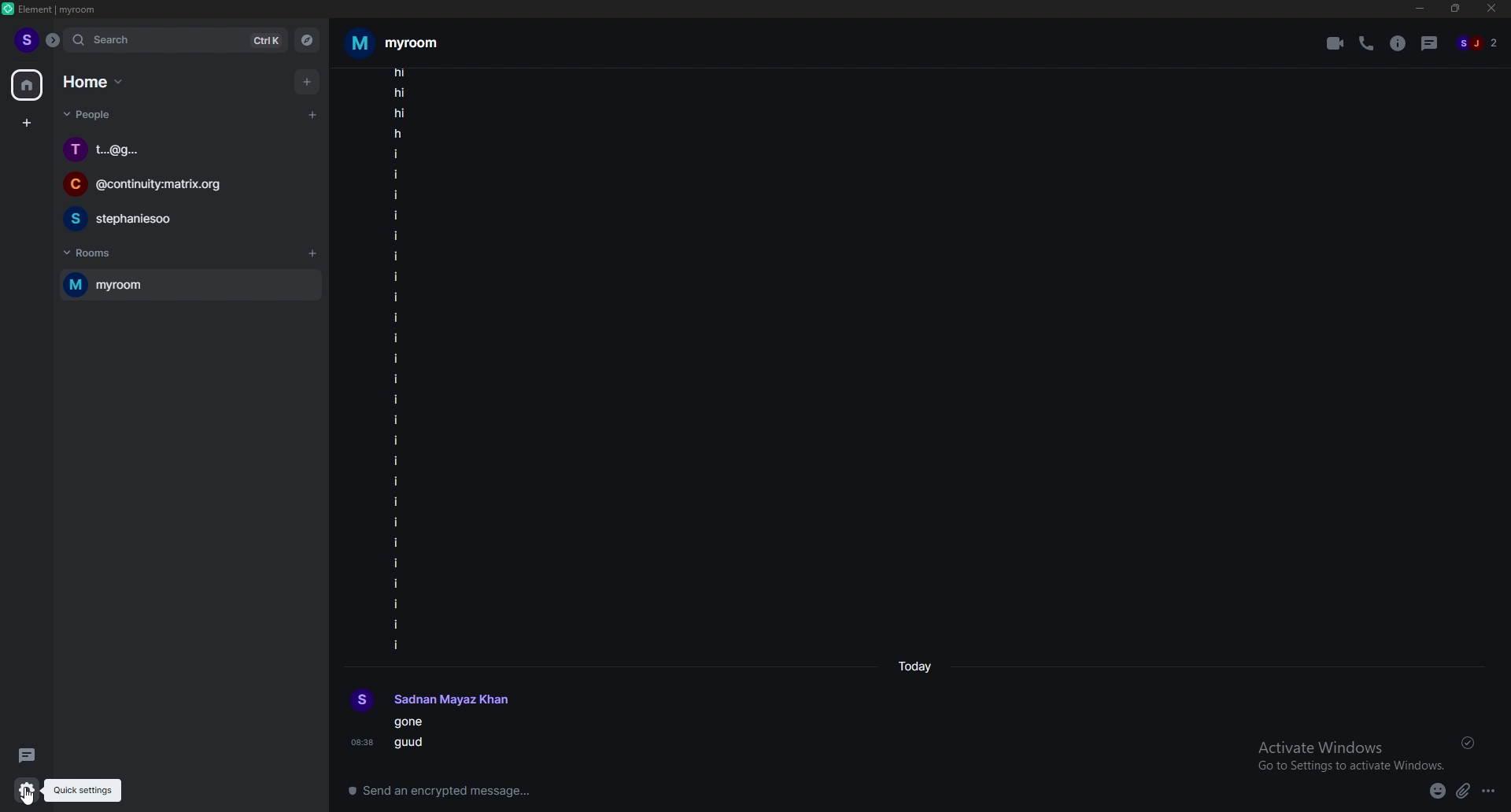 This screenshot has height=812, width=1511. Describe the element at coordinates (1455, 9) in the screenshot. I see `resize` at that location.